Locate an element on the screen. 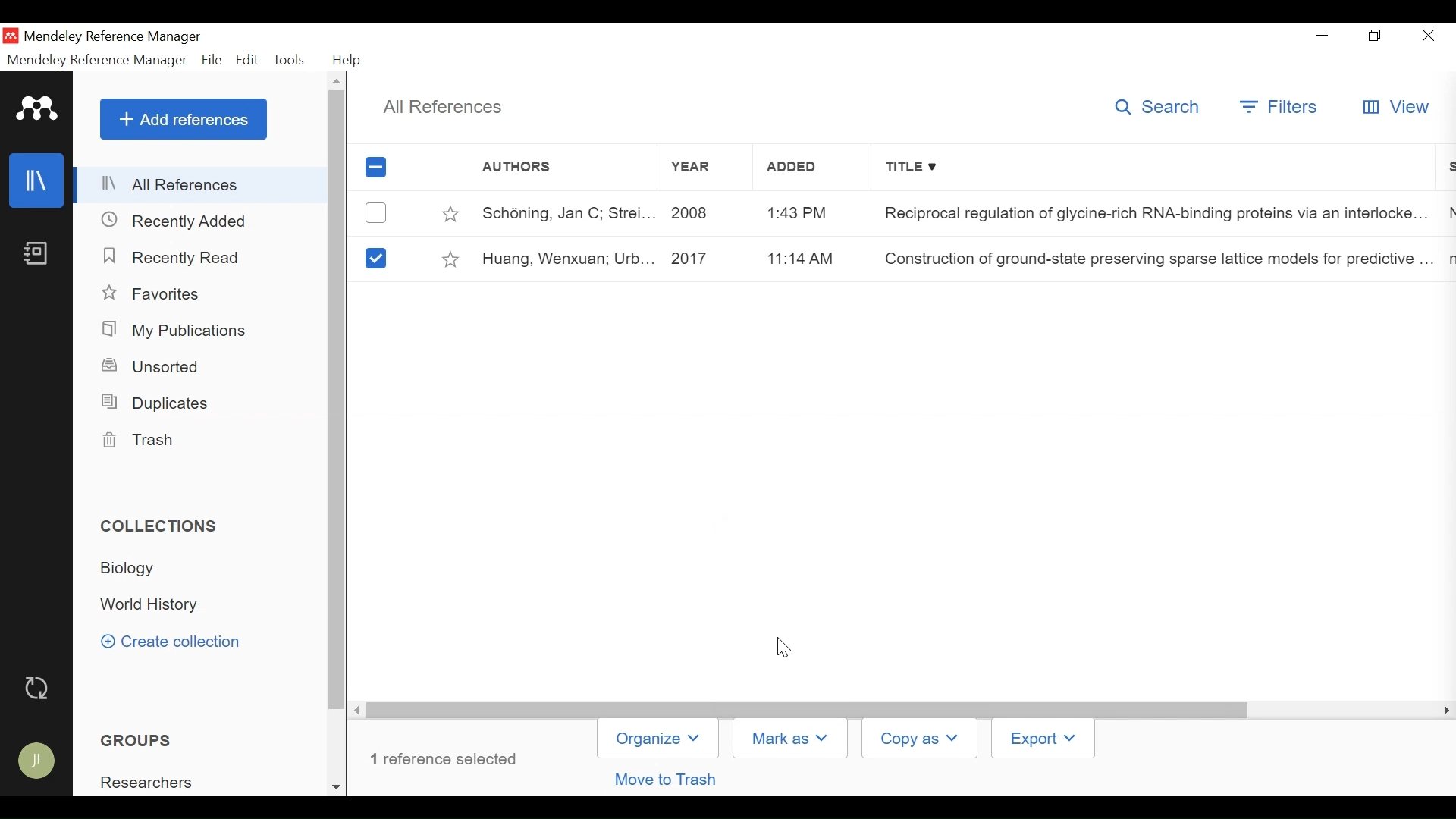 The width and height of the screenshot is (1456, 819). Scroll left is located at coordinates (360, 711).